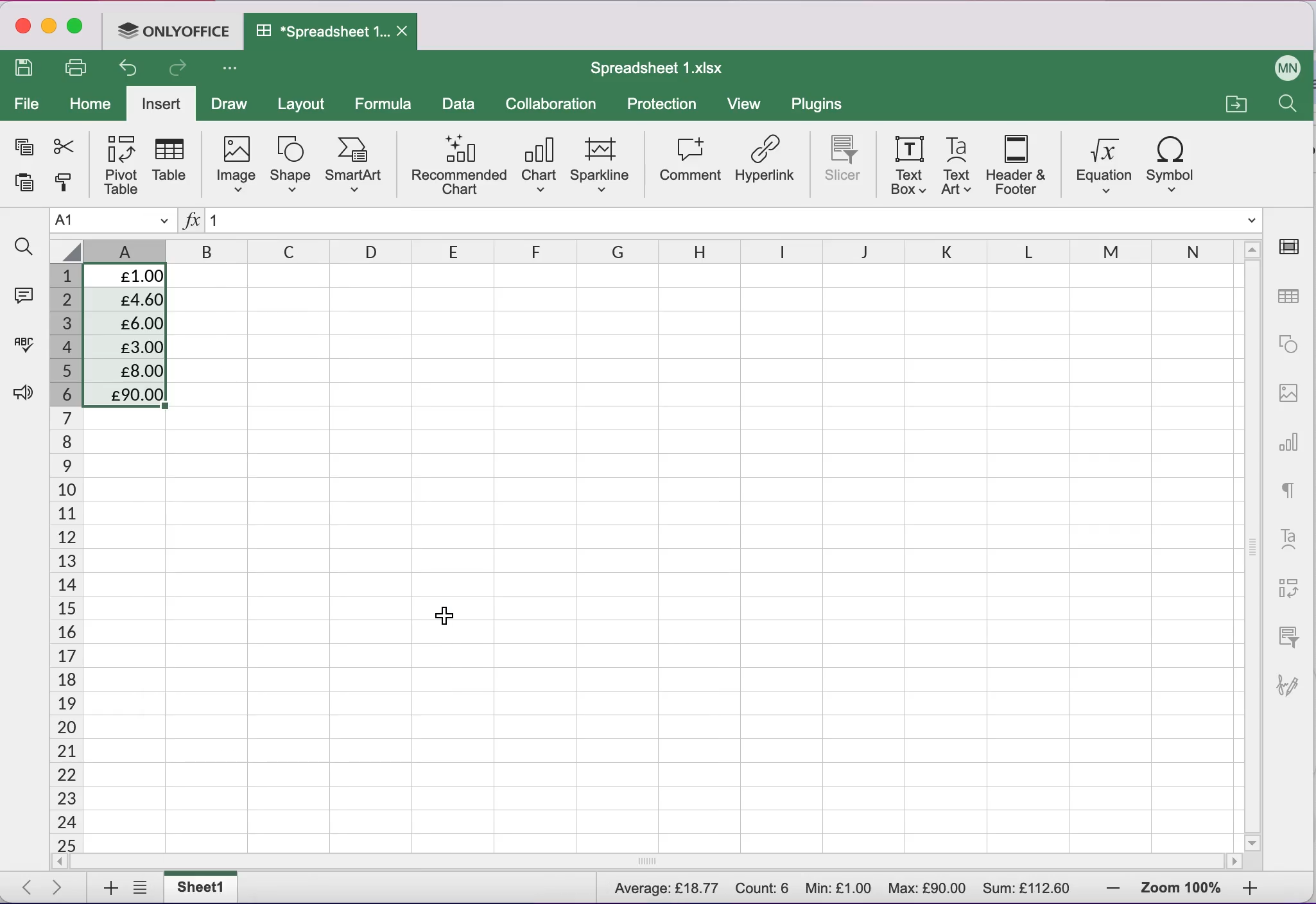 The image size is (1316, 904). What do you see at coordinates (456, 167) in the screenshot?
I see `recommended chart` at bounding box center [456, 167].